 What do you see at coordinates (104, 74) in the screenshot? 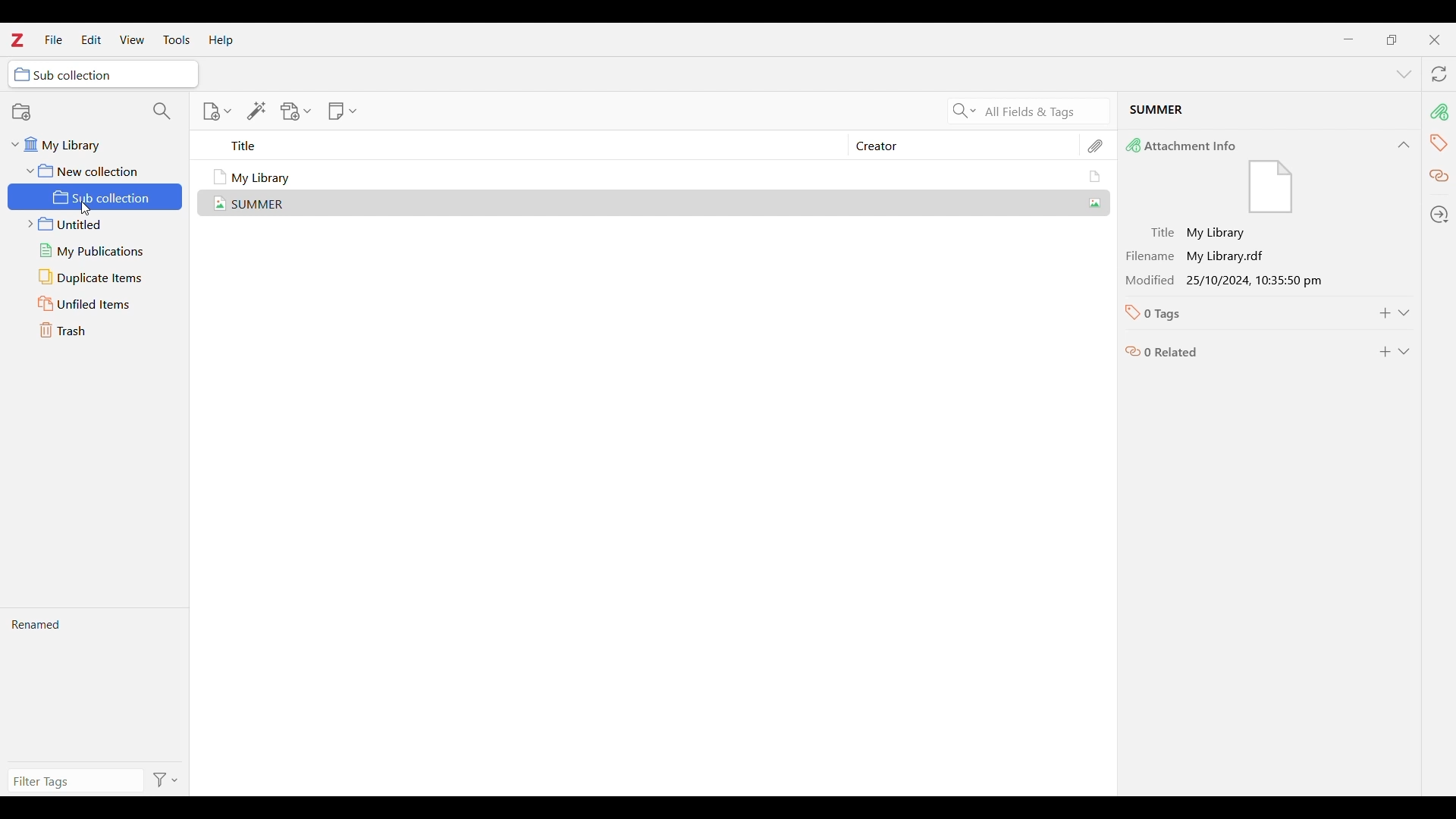
I see `sub selection` at bounding box center [104, 74].